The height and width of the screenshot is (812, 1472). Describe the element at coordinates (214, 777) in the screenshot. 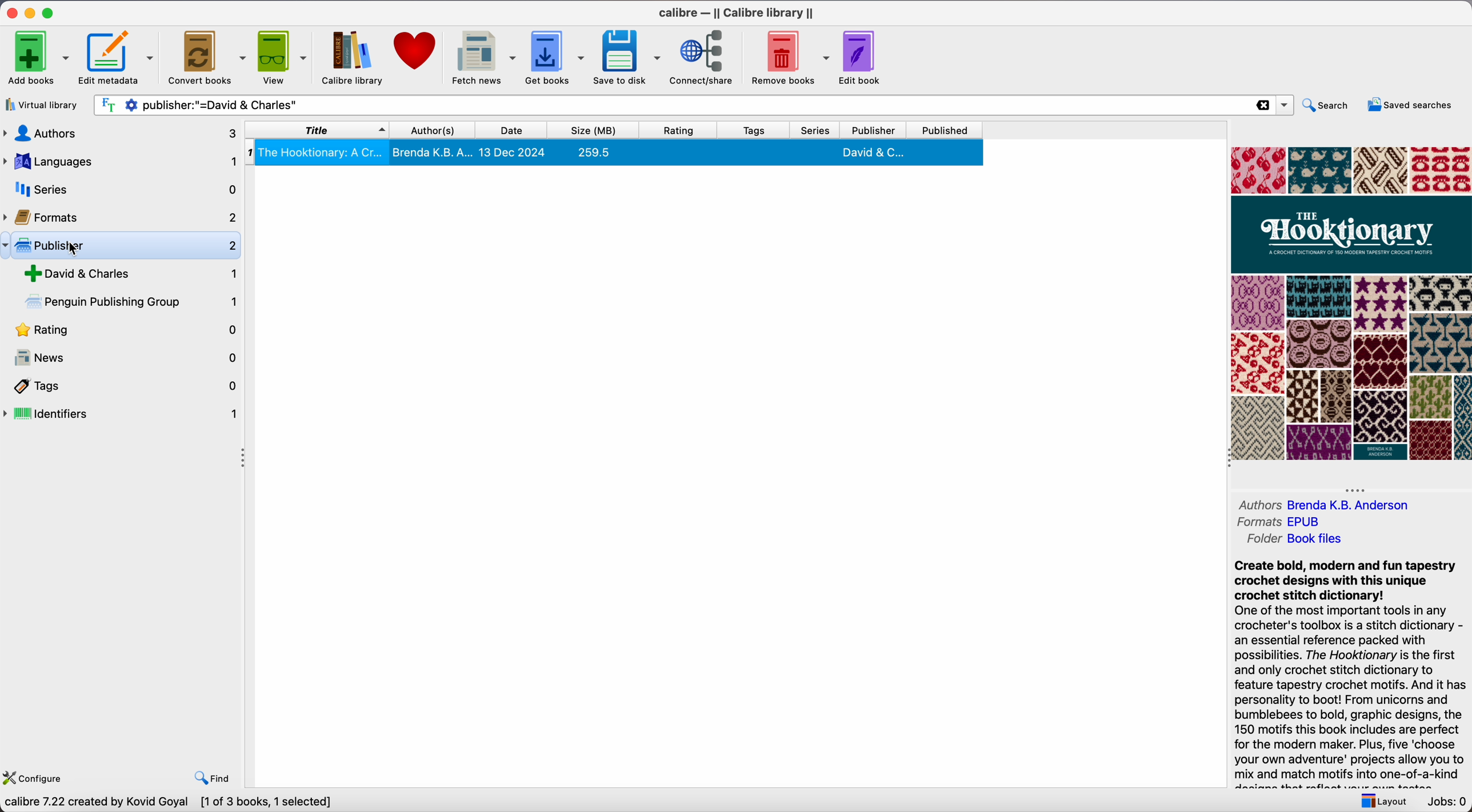

I see `find` at that location.